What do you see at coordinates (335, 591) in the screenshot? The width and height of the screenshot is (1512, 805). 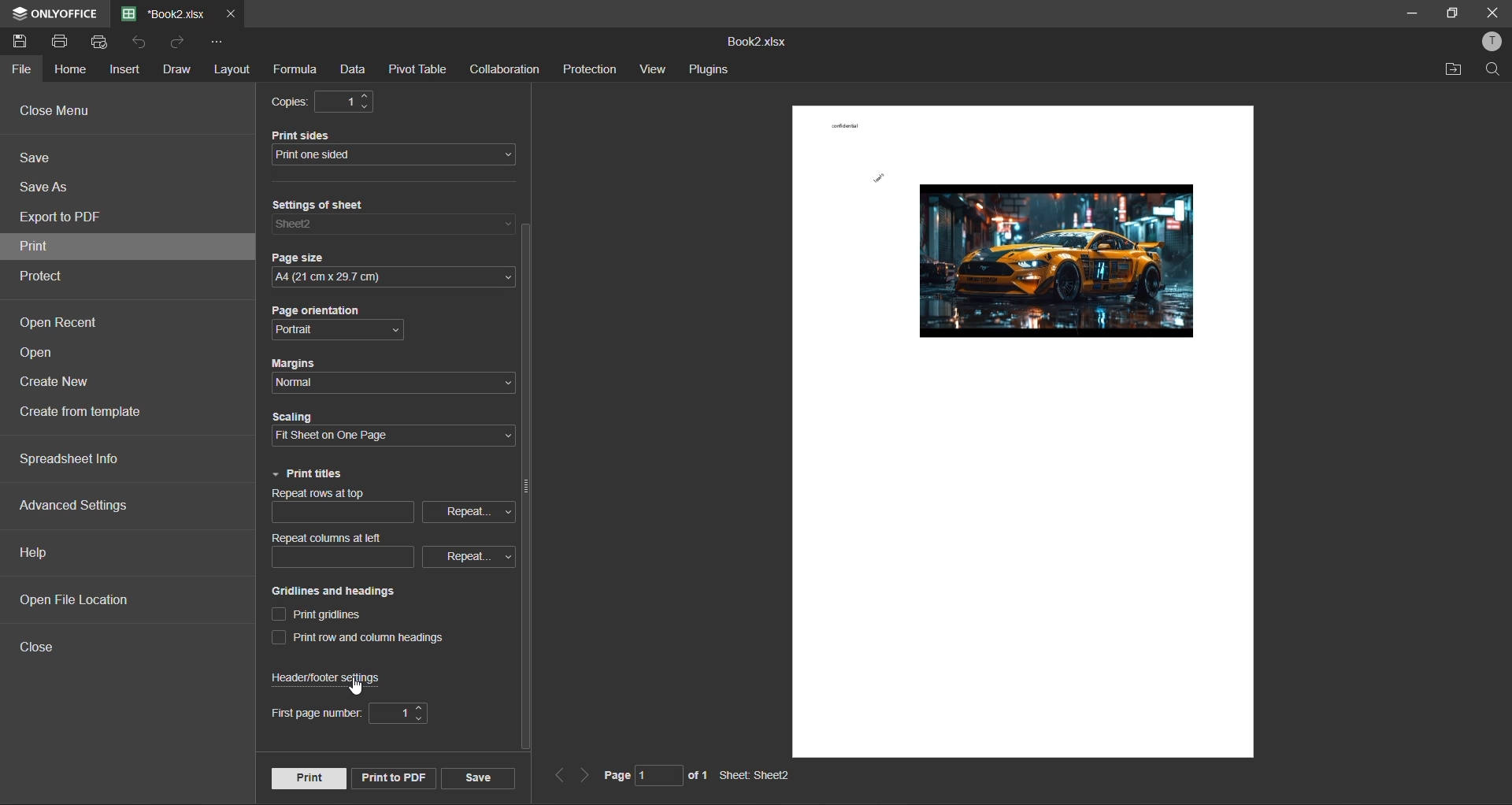 I see `Gridlines and headings` at bounding box center [335, 591].